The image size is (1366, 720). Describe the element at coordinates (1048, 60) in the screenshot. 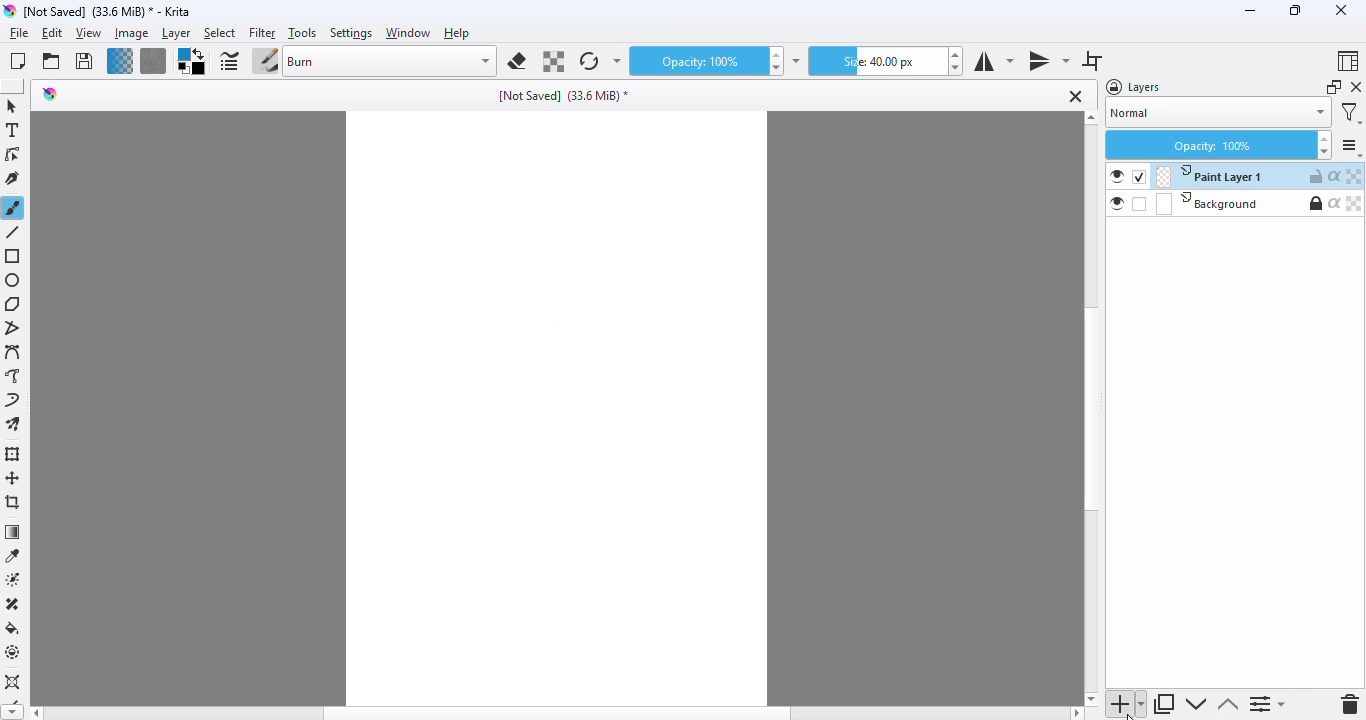

I see `mirror tool` at that location.